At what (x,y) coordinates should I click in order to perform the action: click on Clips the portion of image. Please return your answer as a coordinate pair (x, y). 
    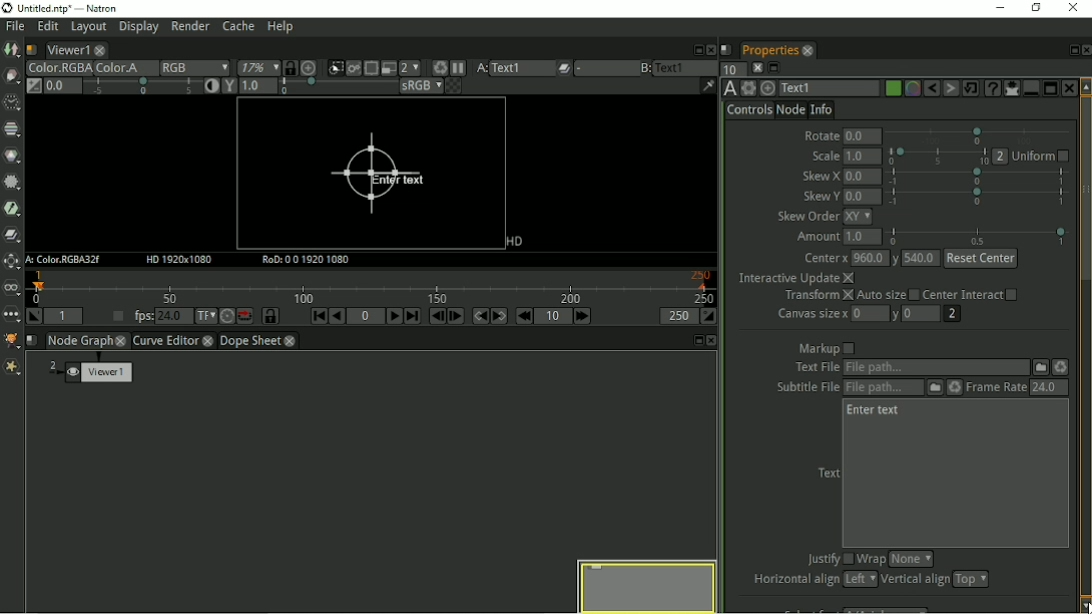
    Looking at the image, I should click on (335, 66).